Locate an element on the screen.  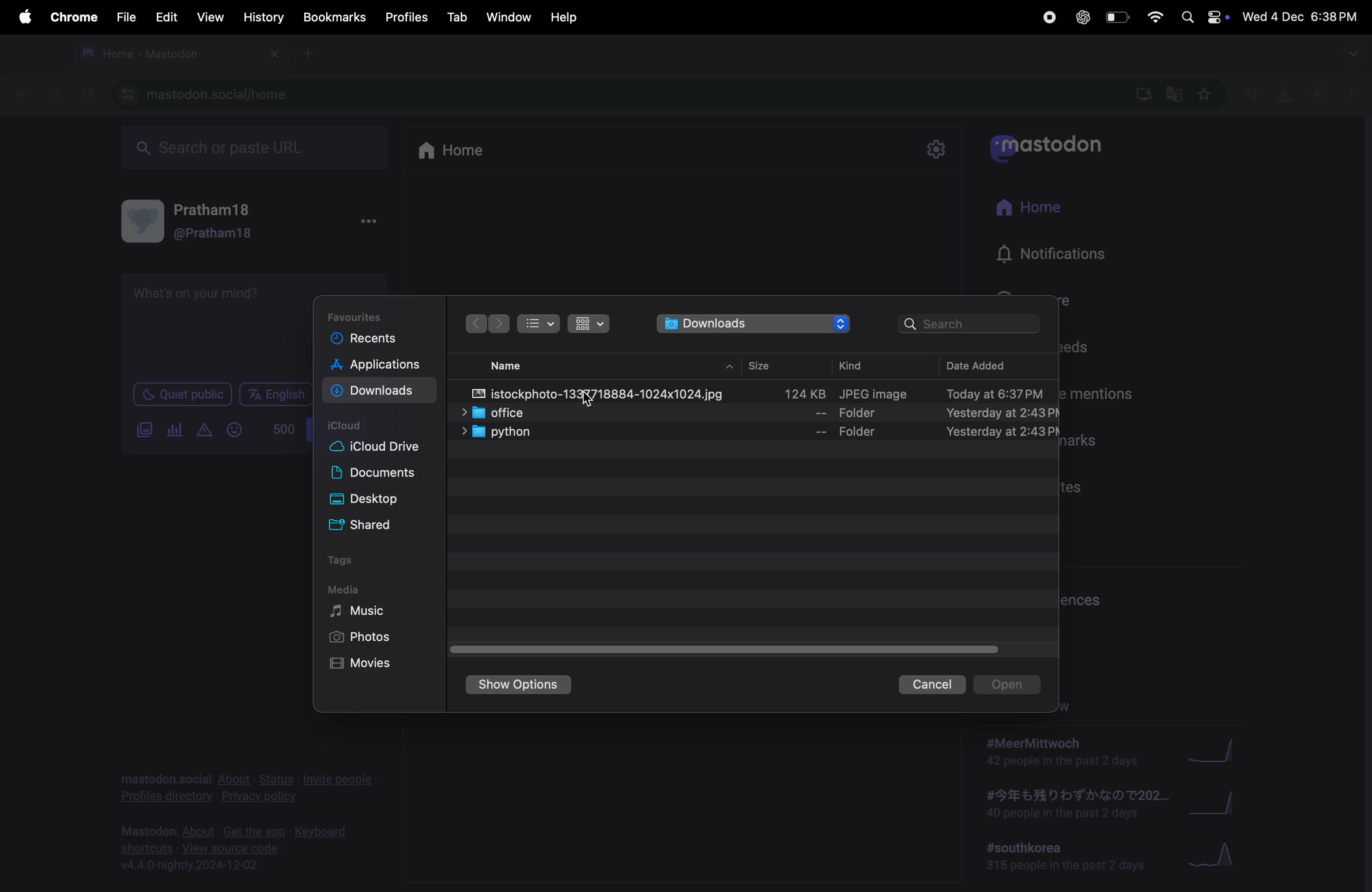
settings is located at coordinates (933, 149).